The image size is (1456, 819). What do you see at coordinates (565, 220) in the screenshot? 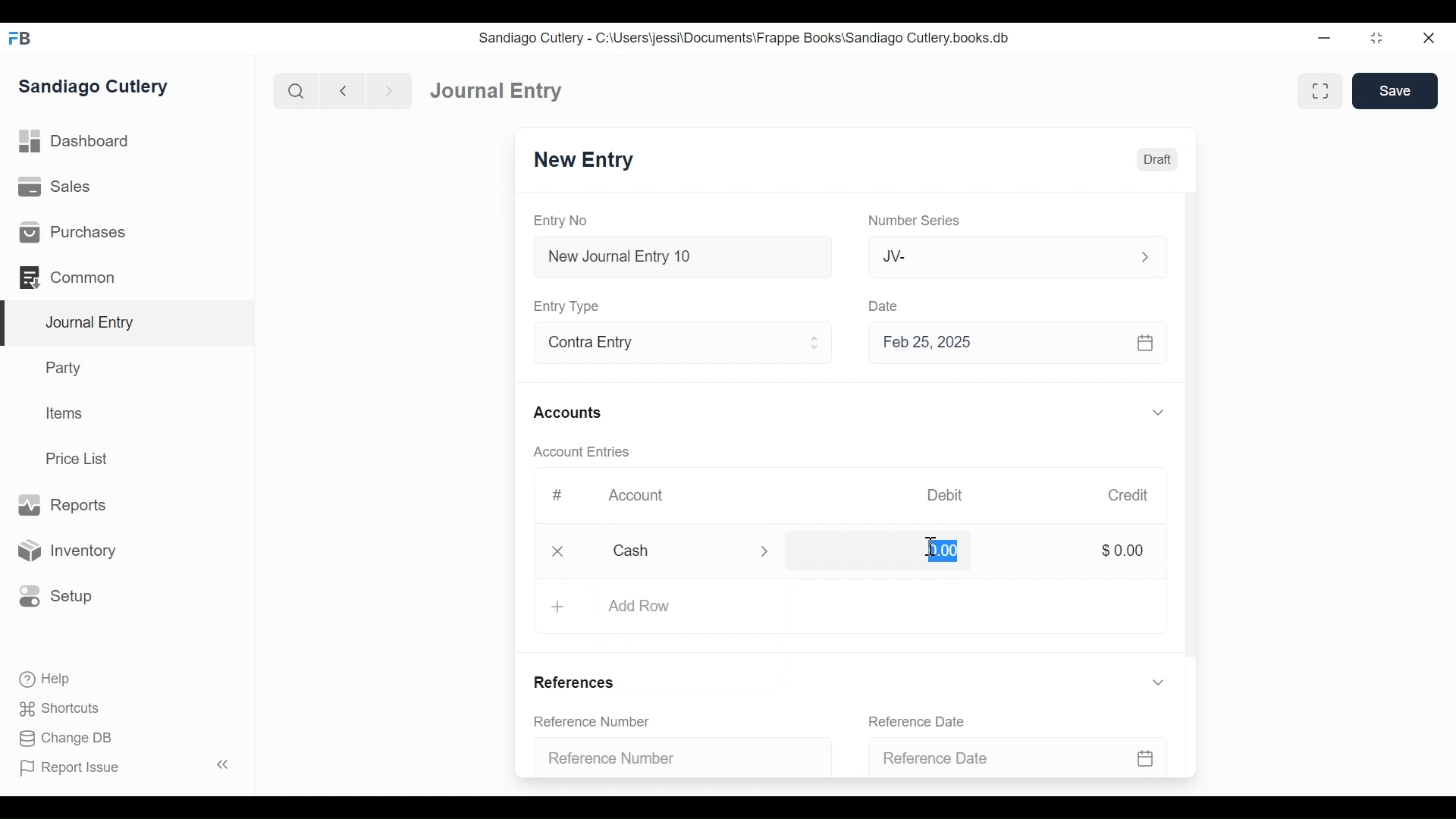
I see `Entry No` at bounding box center [565, 220].